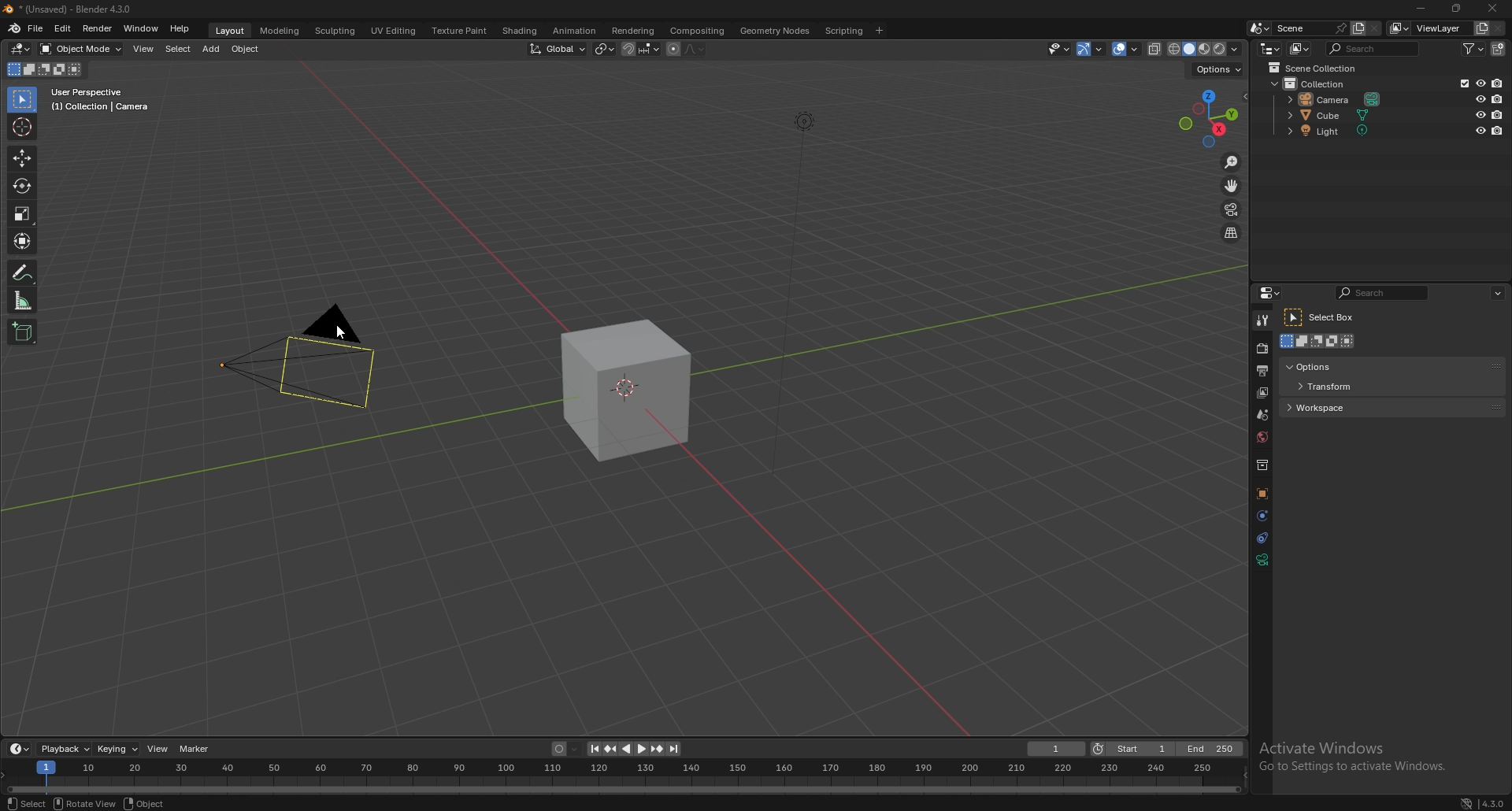 The image size is (1512, 811). Describe the element at coordinates (1481, 27) in the screenshot. I see `add viewlayer` at that location.